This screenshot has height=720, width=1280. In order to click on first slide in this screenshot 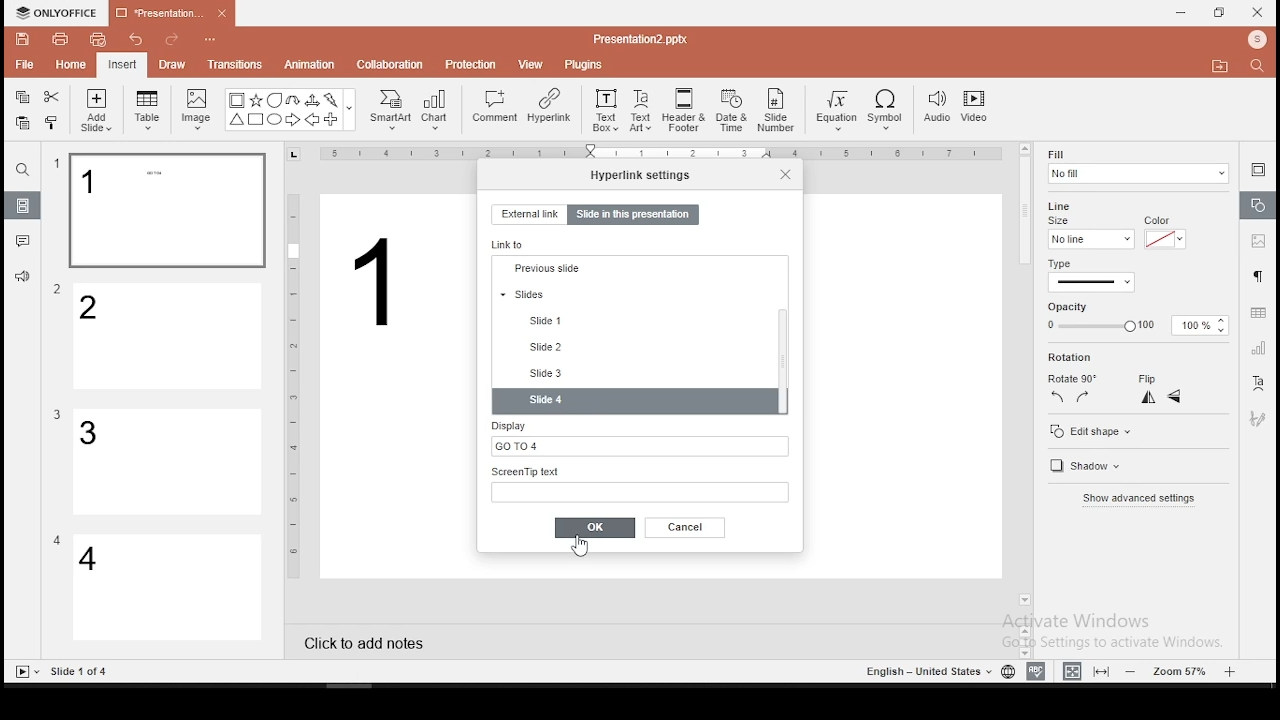, I will do `click(632, 269)`.